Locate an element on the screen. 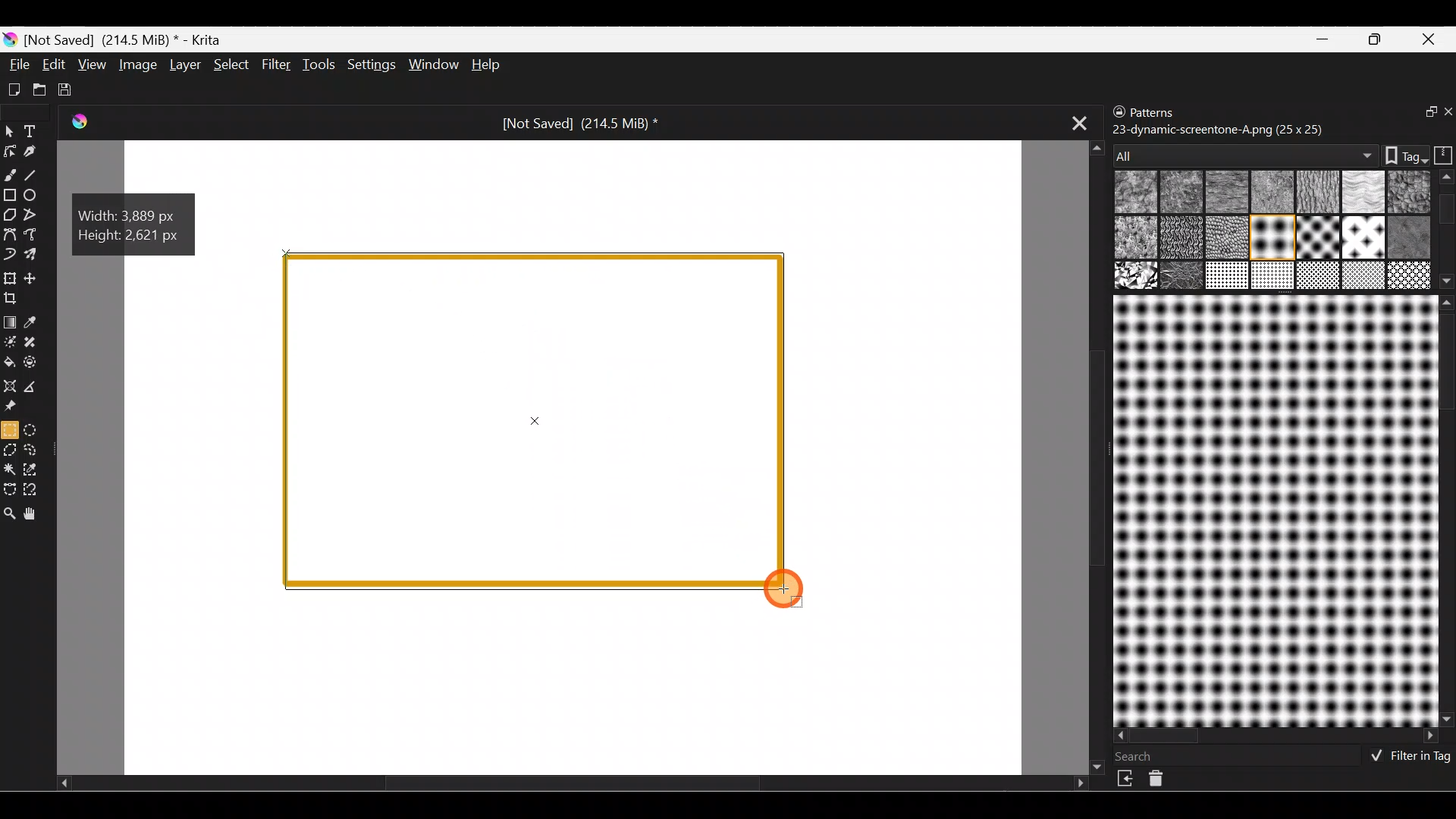 The width and height of the screenshot is (1456, 819). 18 texture_bark.png is located at coordinates (1316, 277).